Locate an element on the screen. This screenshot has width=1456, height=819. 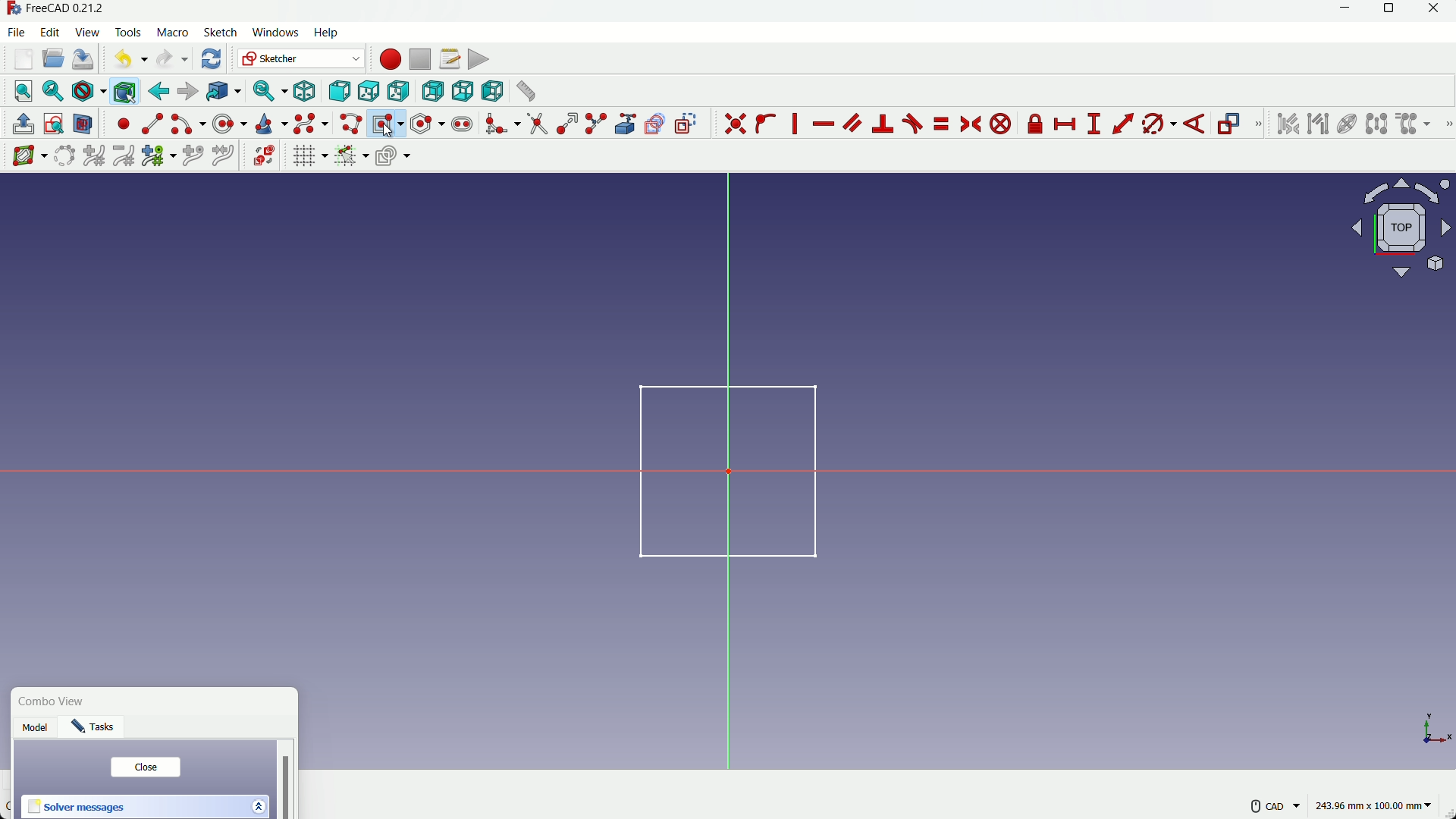
create line is located at coordinates (152, 124).